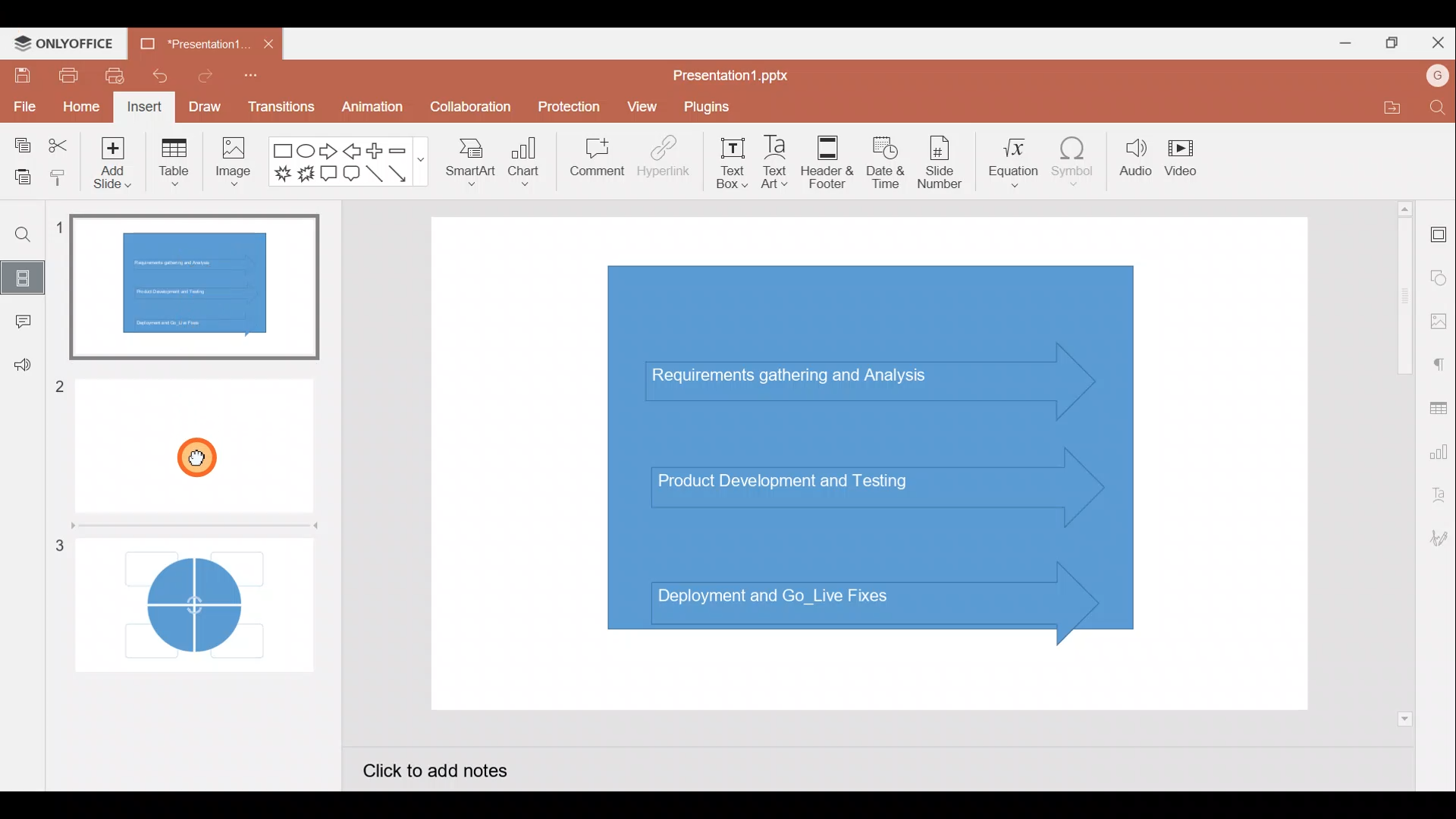  Describe the element at coordinates (739, 76) in the screenshot. I see `Presentation1.pptx` at that location.